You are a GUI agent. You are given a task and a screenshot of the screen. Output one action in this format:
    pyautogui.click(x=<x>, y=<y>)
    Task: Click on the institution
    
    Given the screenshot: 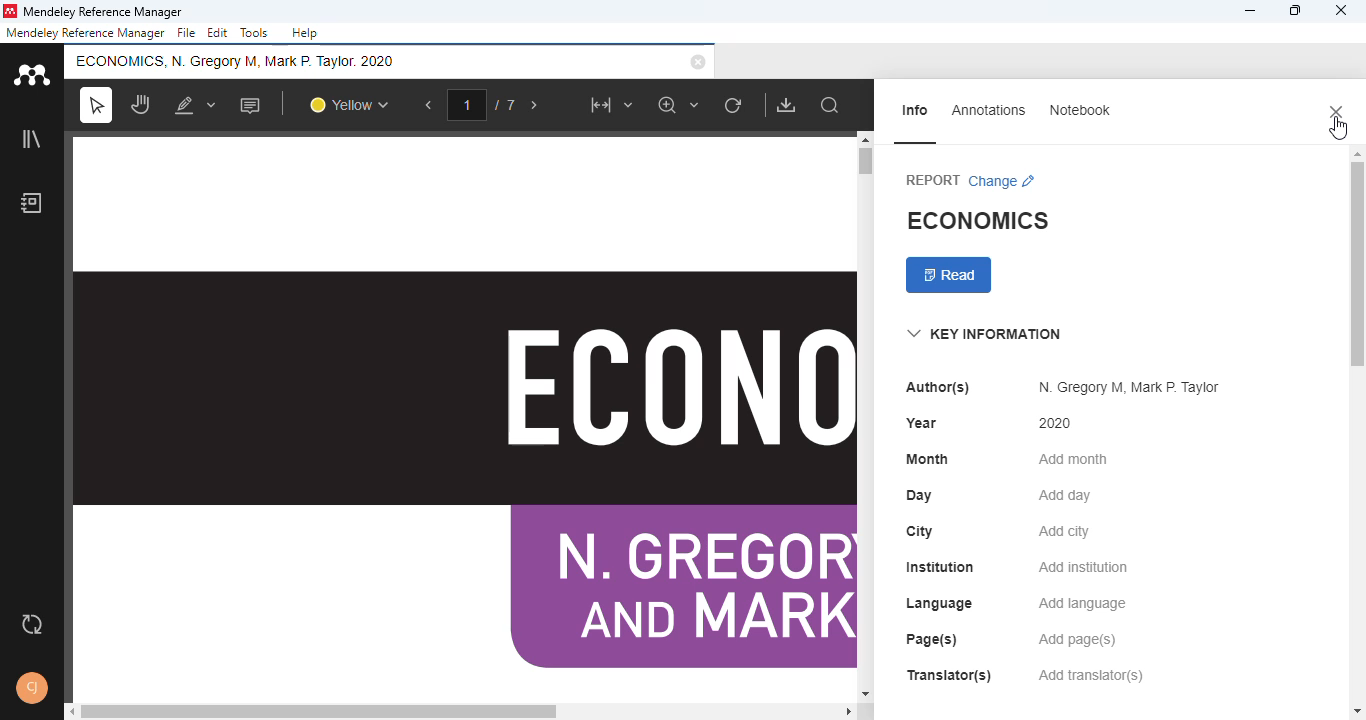 What is the action you would take?
    pyautogui.click(x=939, y=567)
    